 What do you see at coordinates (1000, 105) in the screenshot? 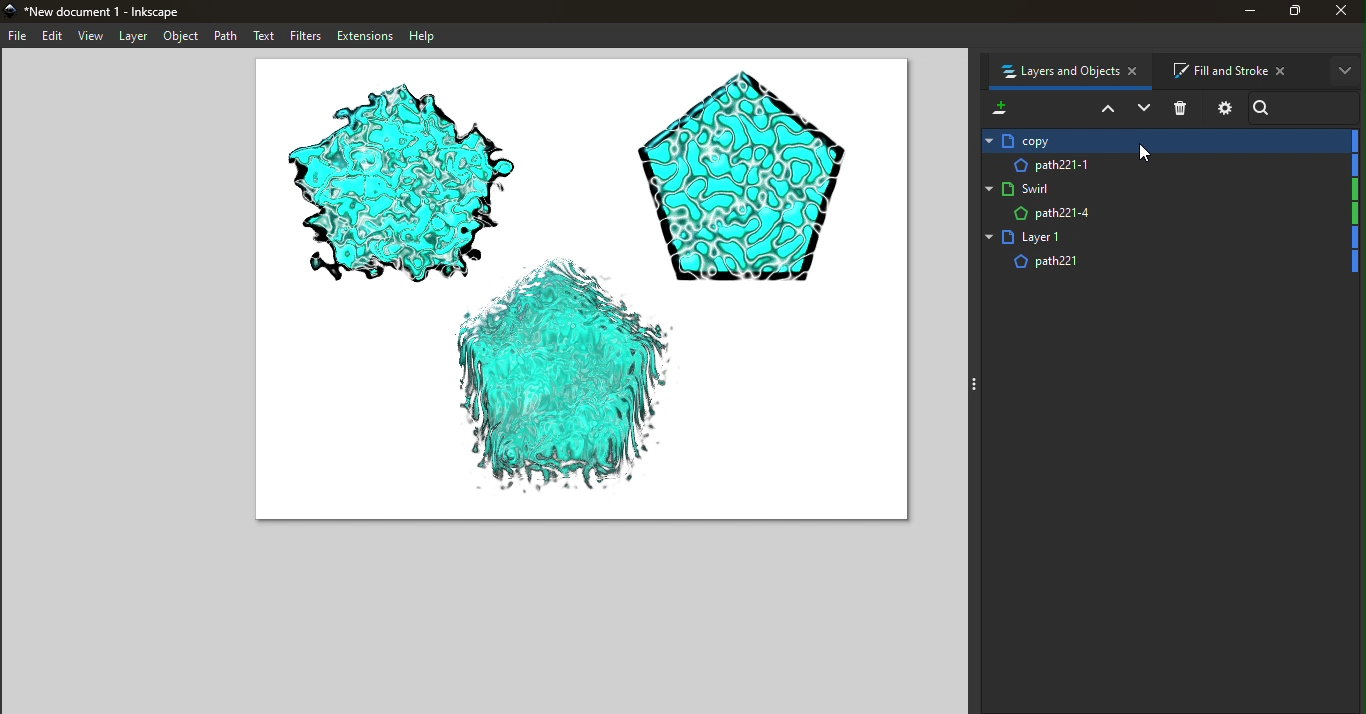
I see `Add a new layer` at bounding box center [1000, 105].